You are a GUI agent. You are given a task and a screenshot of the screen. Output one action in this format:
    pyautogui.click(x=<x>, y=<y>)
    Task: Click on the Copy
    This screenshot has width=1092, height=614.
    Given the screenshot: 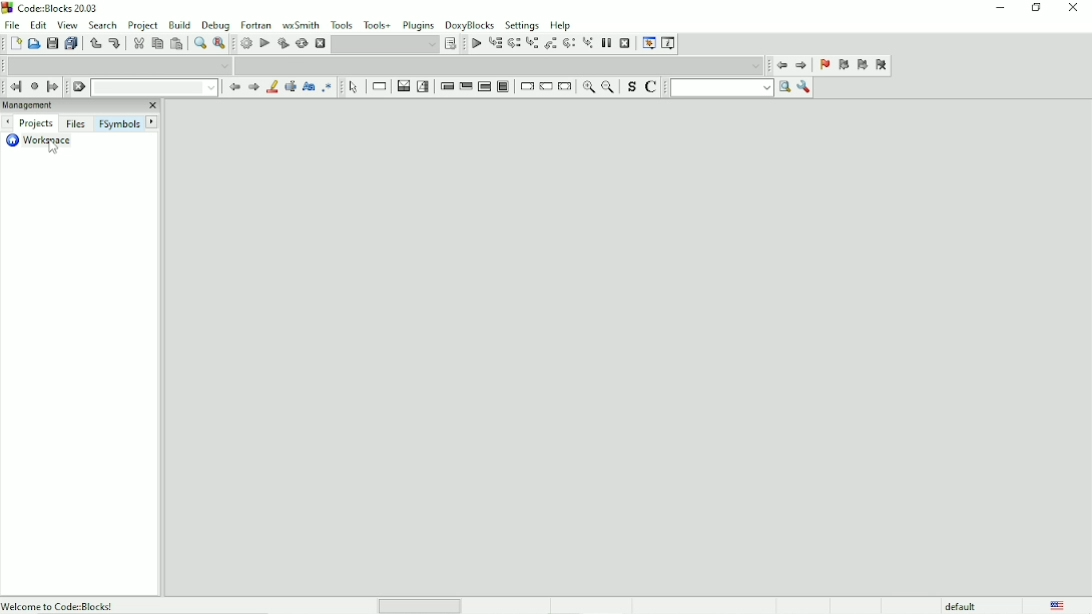 What is the action you would take?
    pyautogui.click(x=156, y=44)
    